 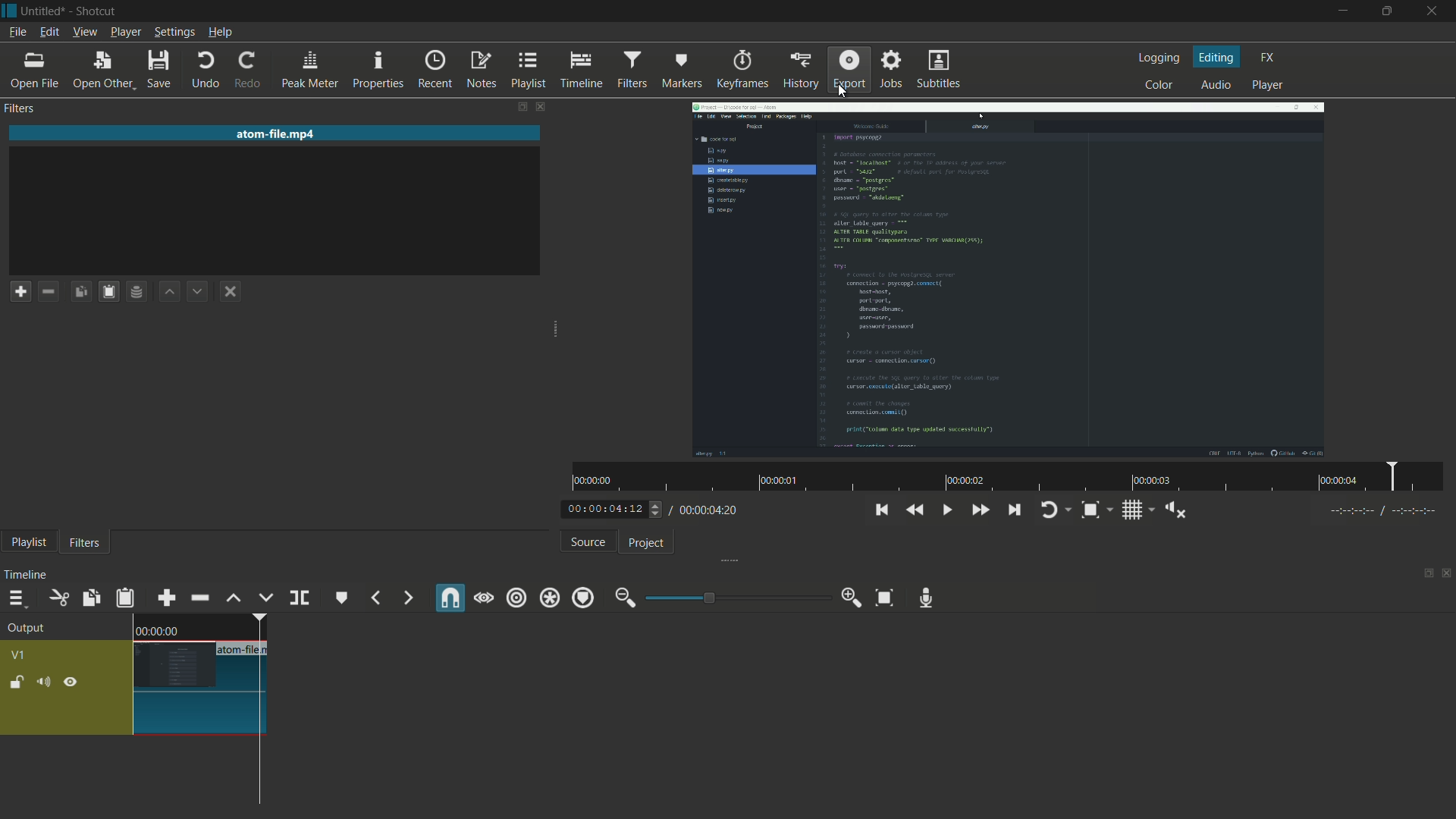 What do you see at coordinates (199, 290) in the screenshot?
I see `move filter down` at bounding box center [199, 290].